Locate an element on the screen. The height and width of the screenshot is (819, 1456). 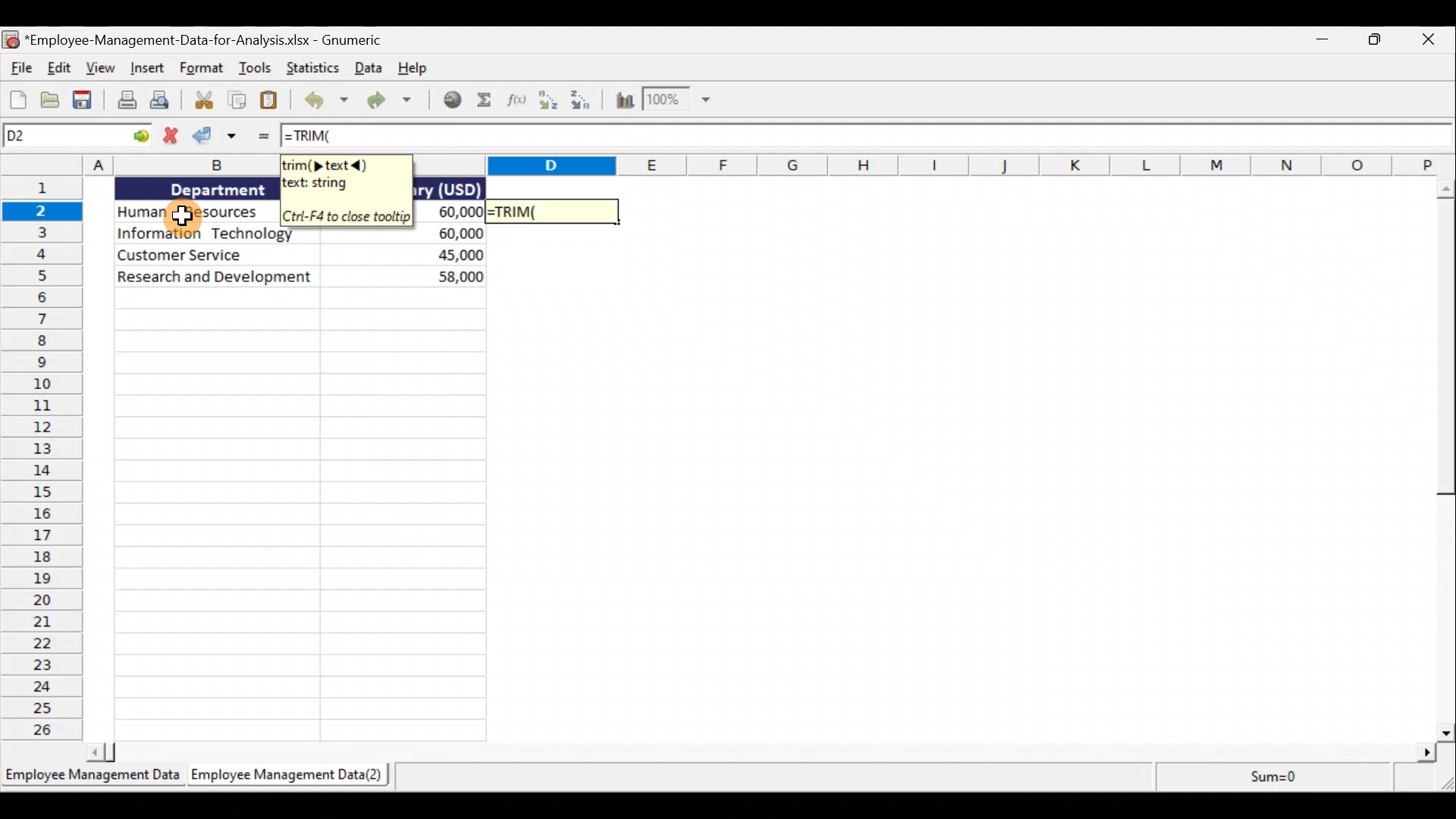
scroll bar is located at coordinates (1443, 461).